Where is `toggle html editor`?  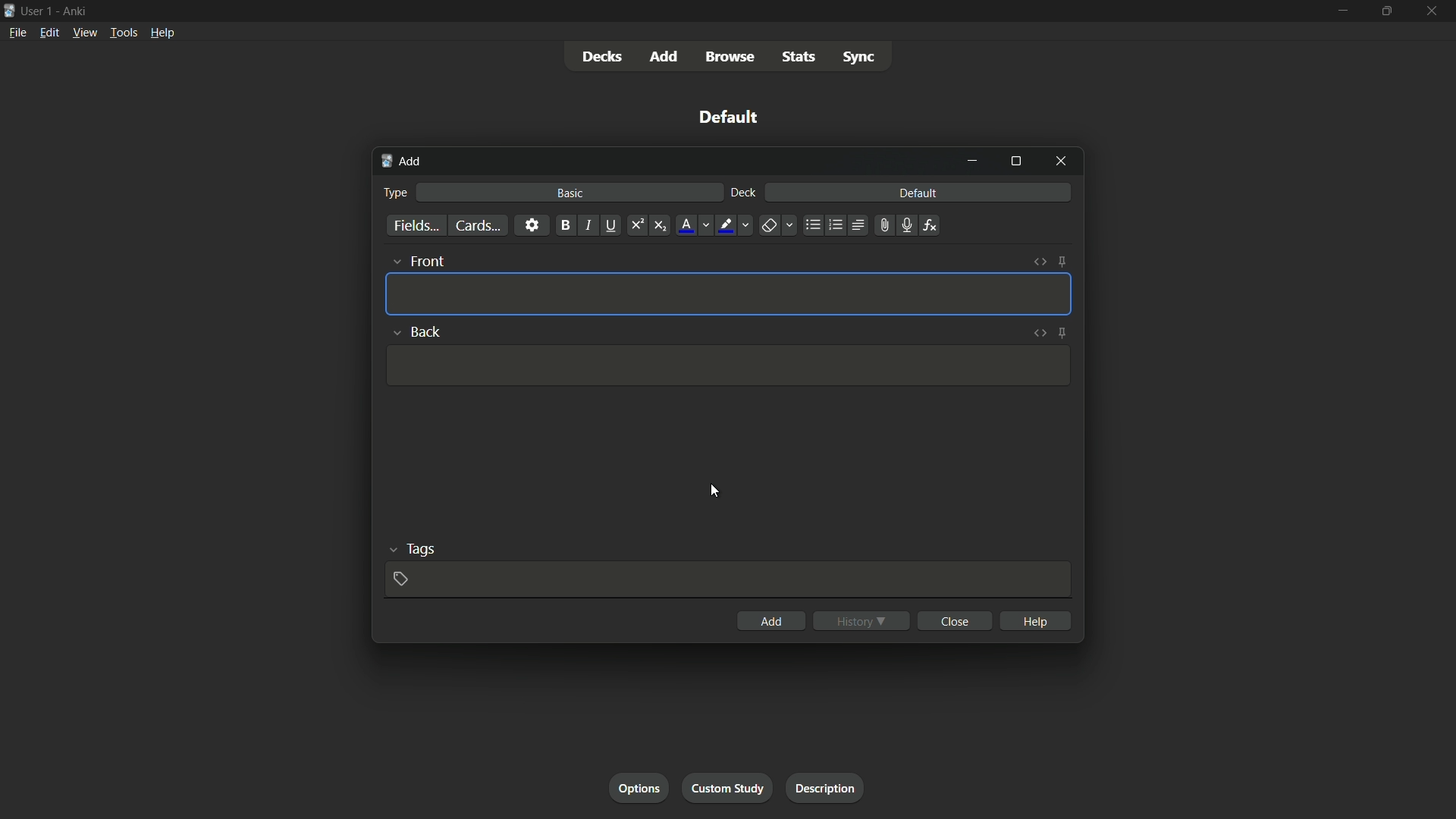 toggle html editor is located at coordinates (1040, 262).